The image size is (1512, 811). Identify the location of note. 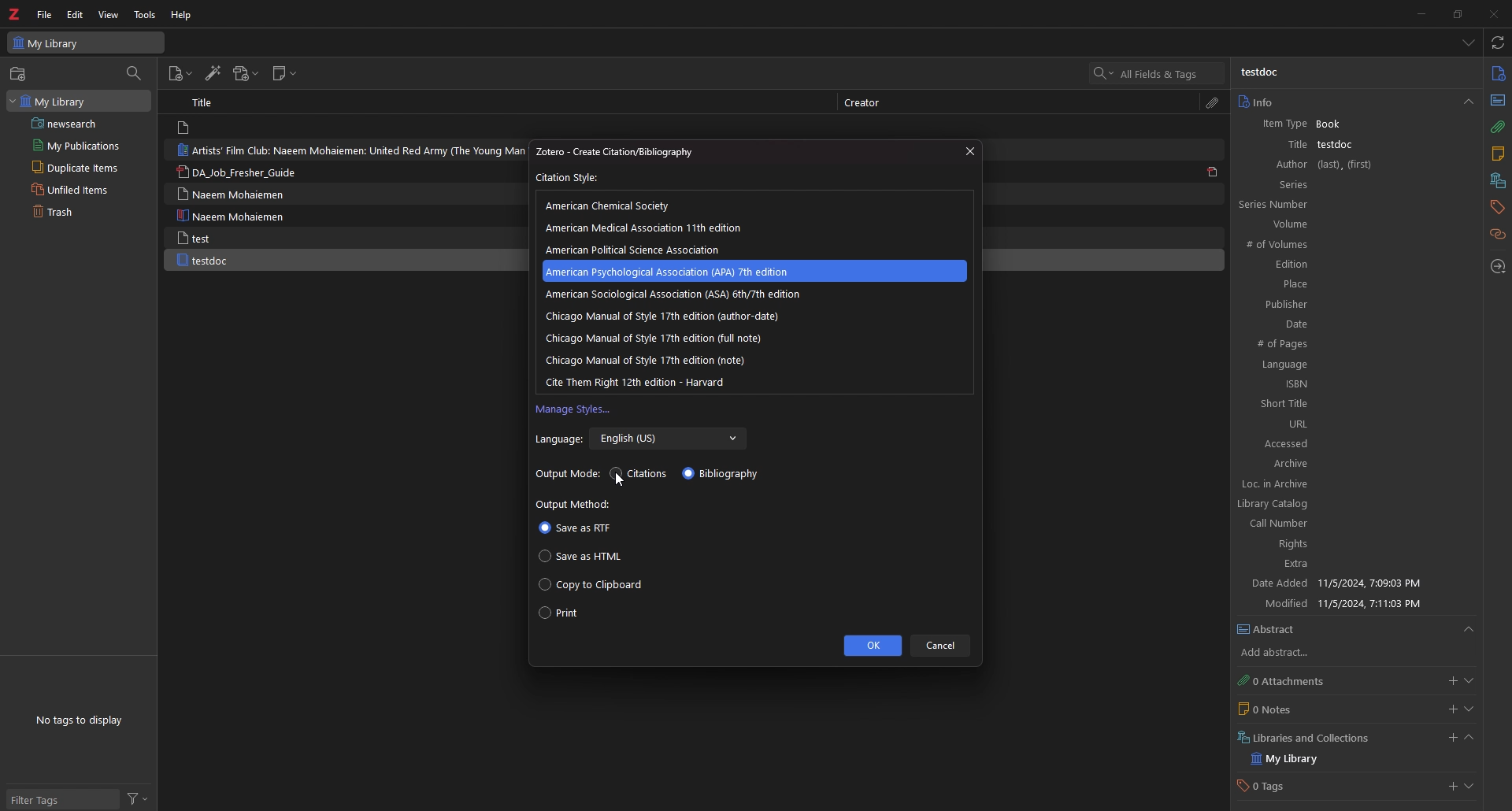
(1497, 156).